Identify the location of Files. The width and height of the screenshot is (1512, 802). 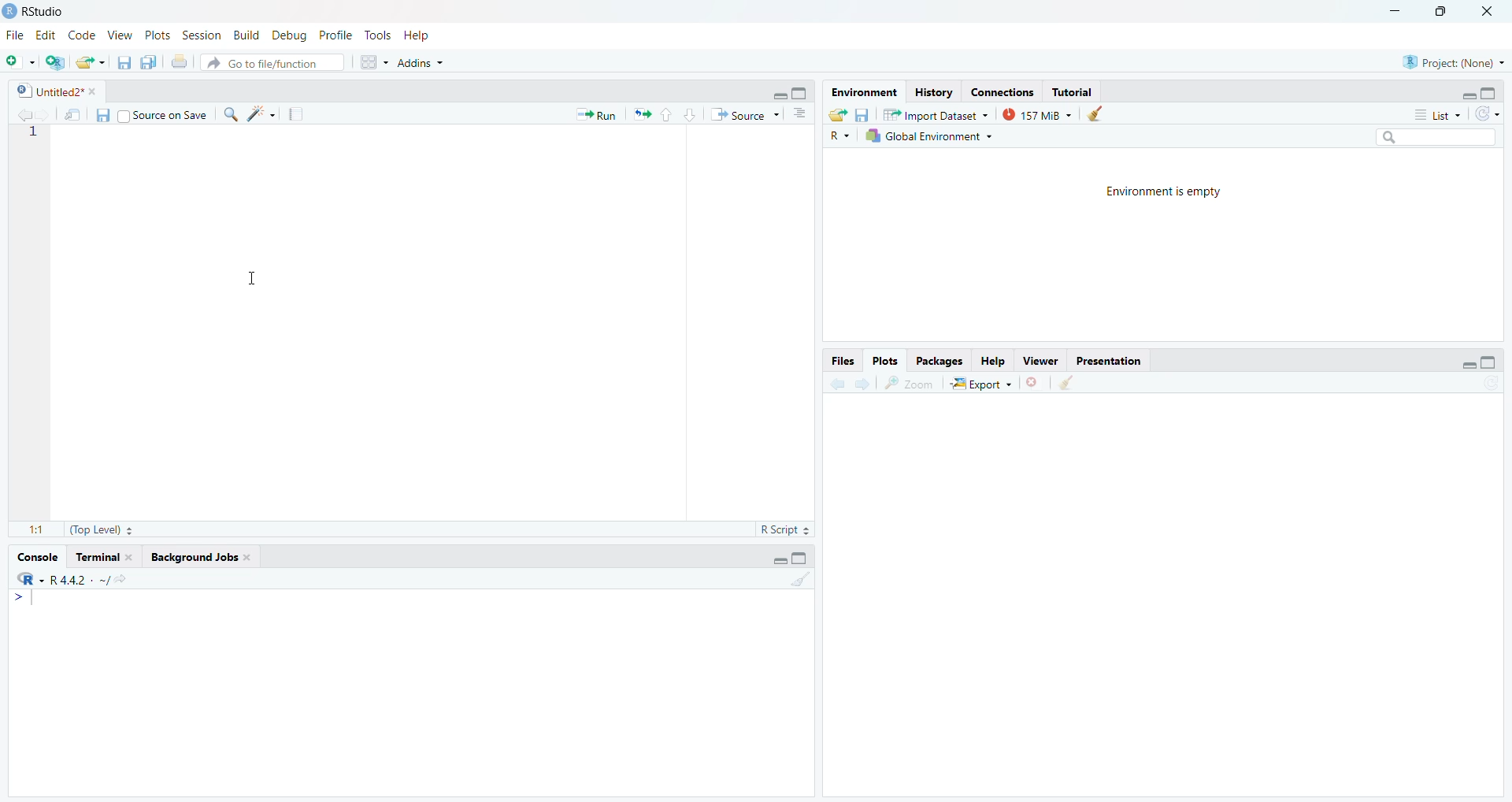
(843, 361).